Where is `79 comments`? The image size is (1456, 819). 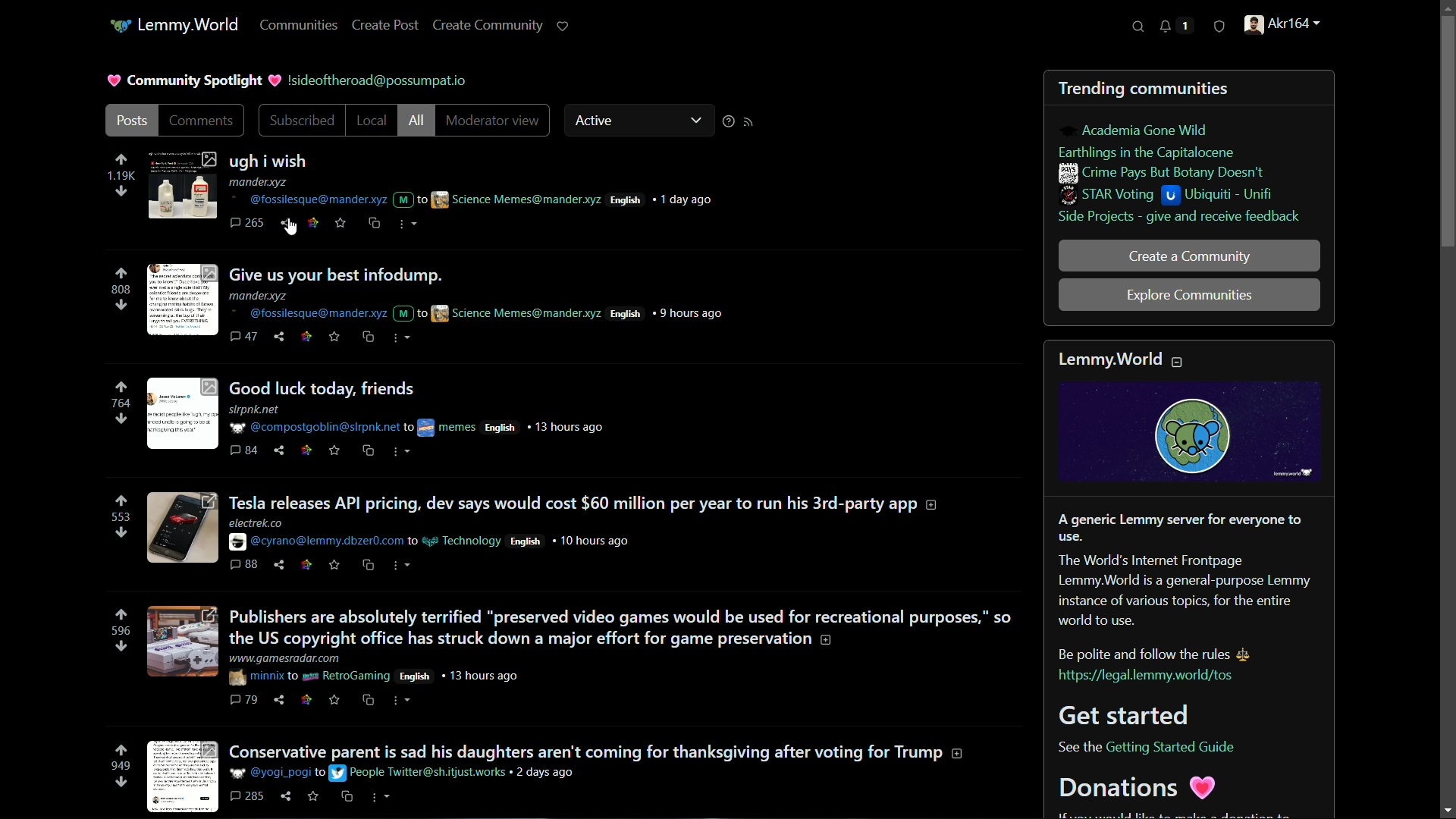
79 comments is located at coordinates (245, 701).